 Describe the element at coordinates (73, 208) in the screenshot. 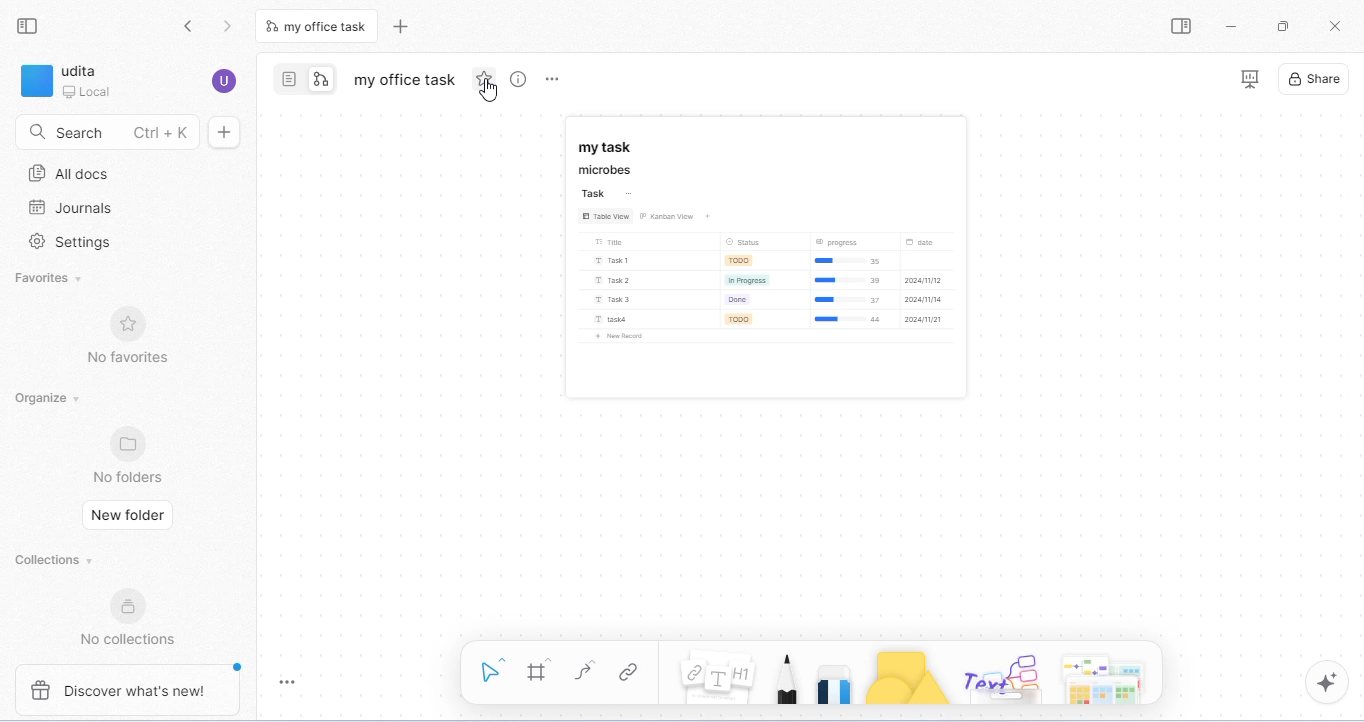

I see `journals` at that location.